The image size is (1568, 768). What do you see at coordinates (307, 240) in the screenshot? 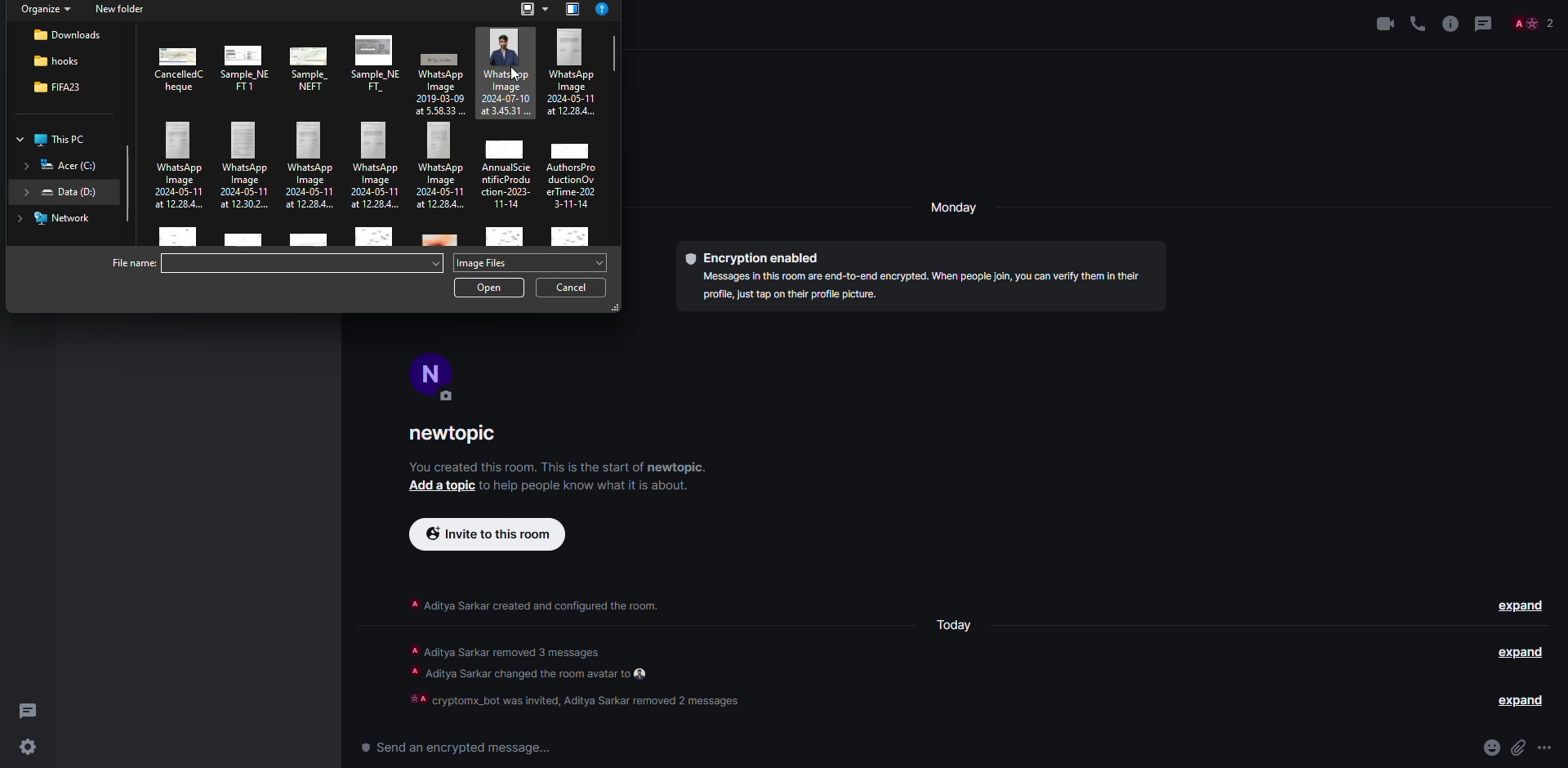
I see `click to select` at bounding box center [307, 240].